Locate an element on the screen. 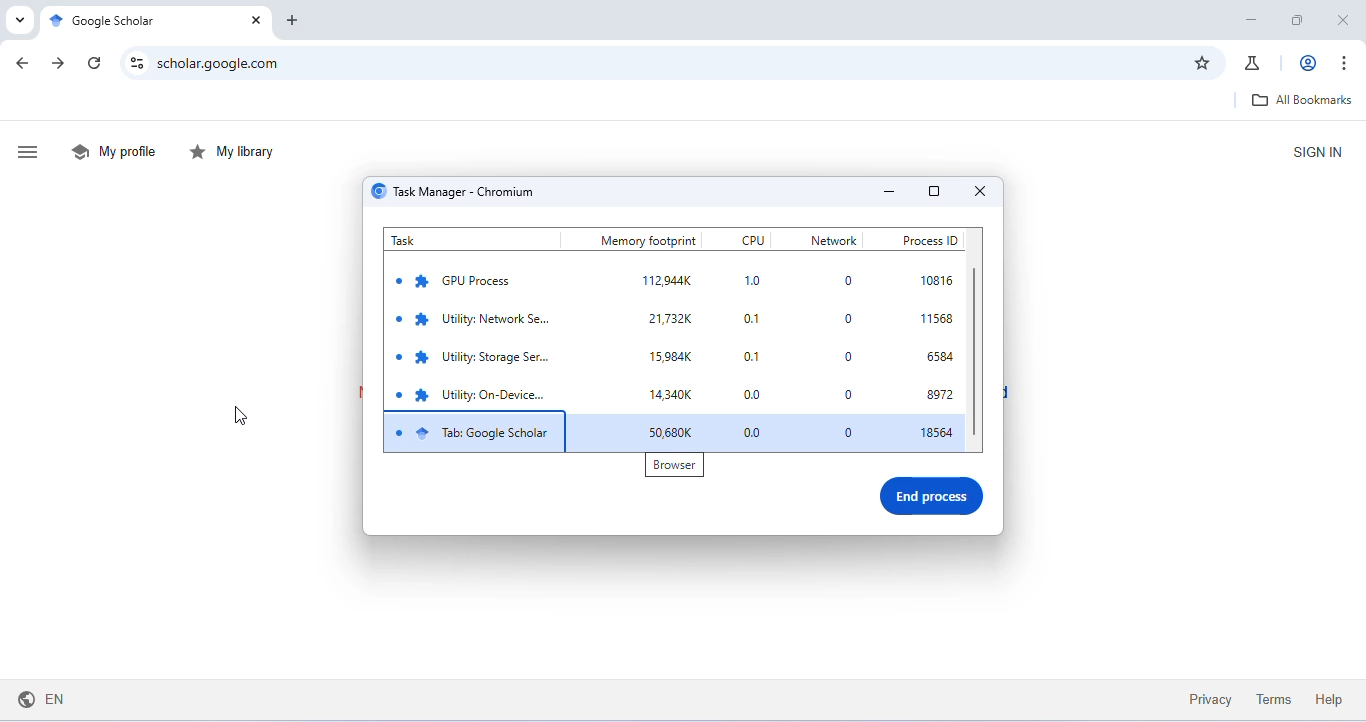 The height and width of the screenshot is (722, 1366). close is located at coordinates (1342, 19).